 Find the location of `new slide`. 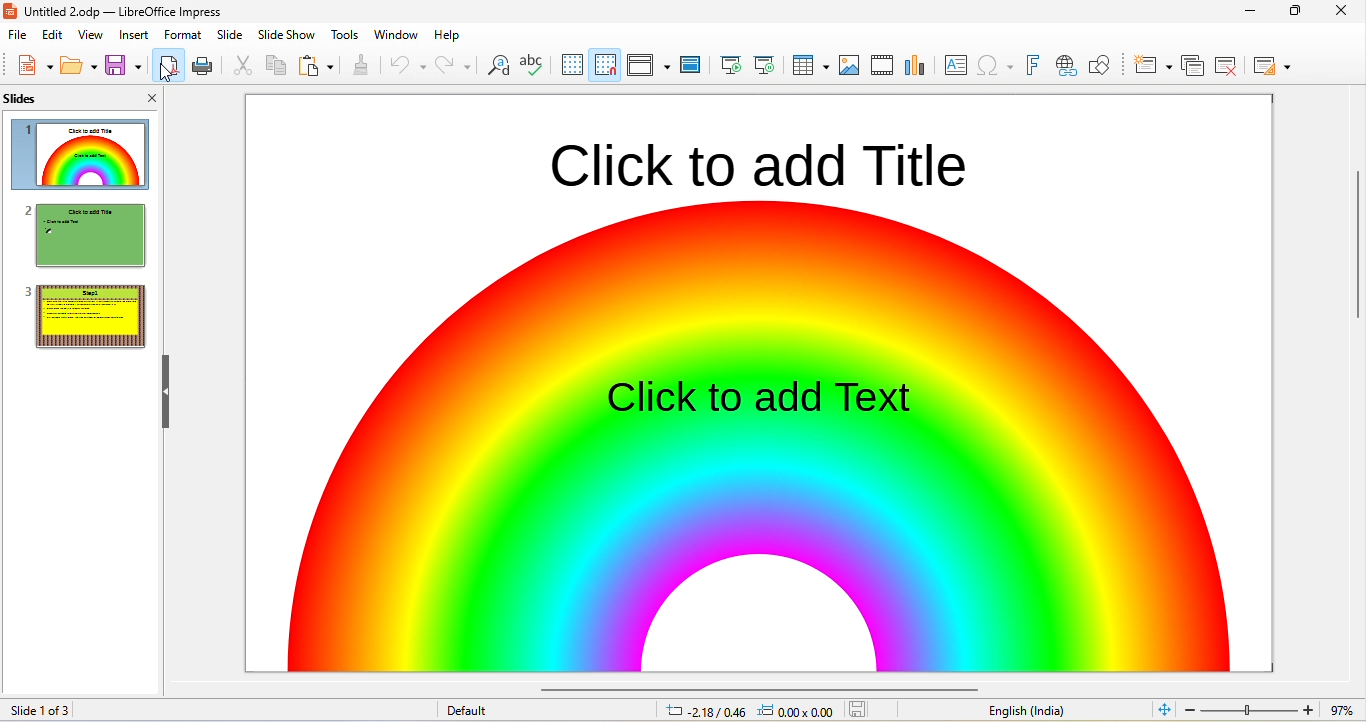

new slide is located at coordinates (1152, 64).